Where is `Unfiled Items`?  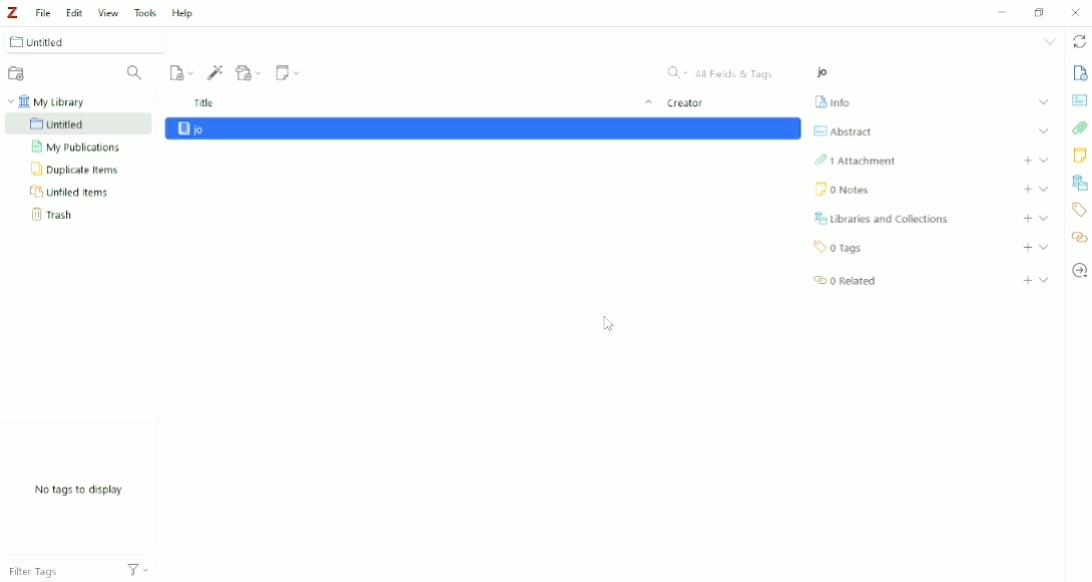
Unfiled Items is located at coordinates (69, 192).